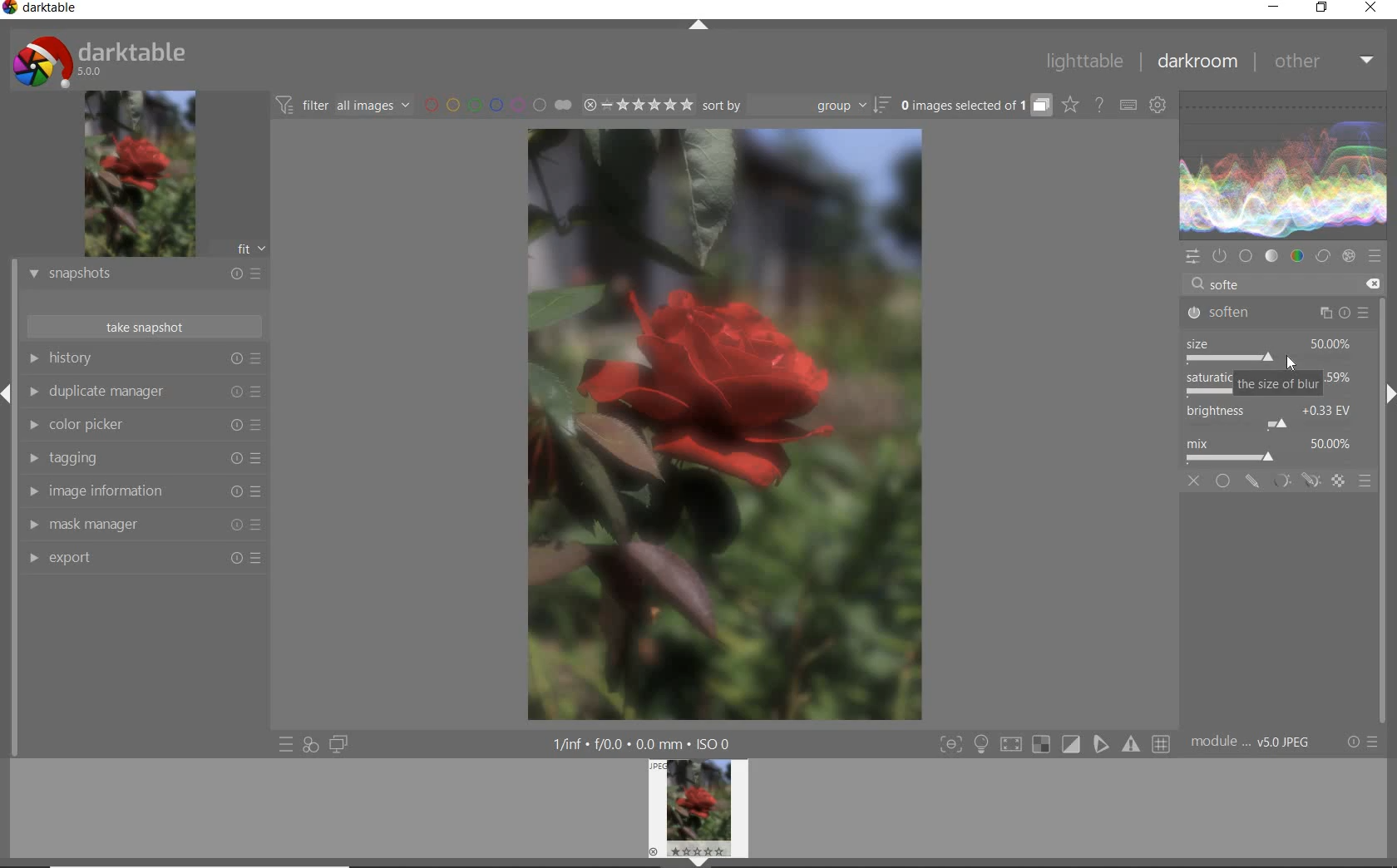 The width and height of the screenshot is (1397, 868). I want to click on cursor position, so click(1292, 362).